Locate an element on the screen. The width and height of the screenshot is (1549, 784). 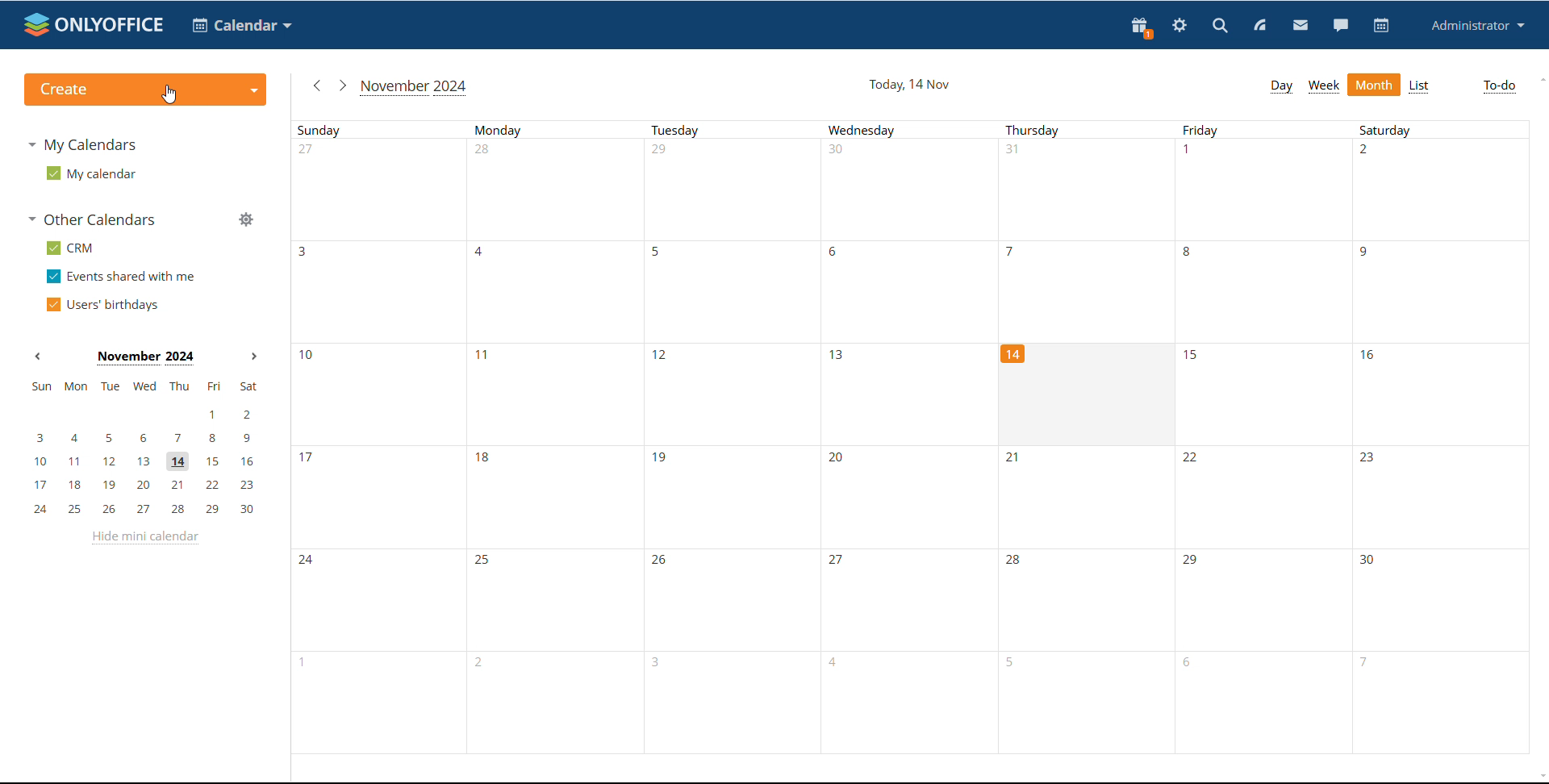
sun, mon, tue, wed, thu, fri, sat is located at coordinates (143, 386).